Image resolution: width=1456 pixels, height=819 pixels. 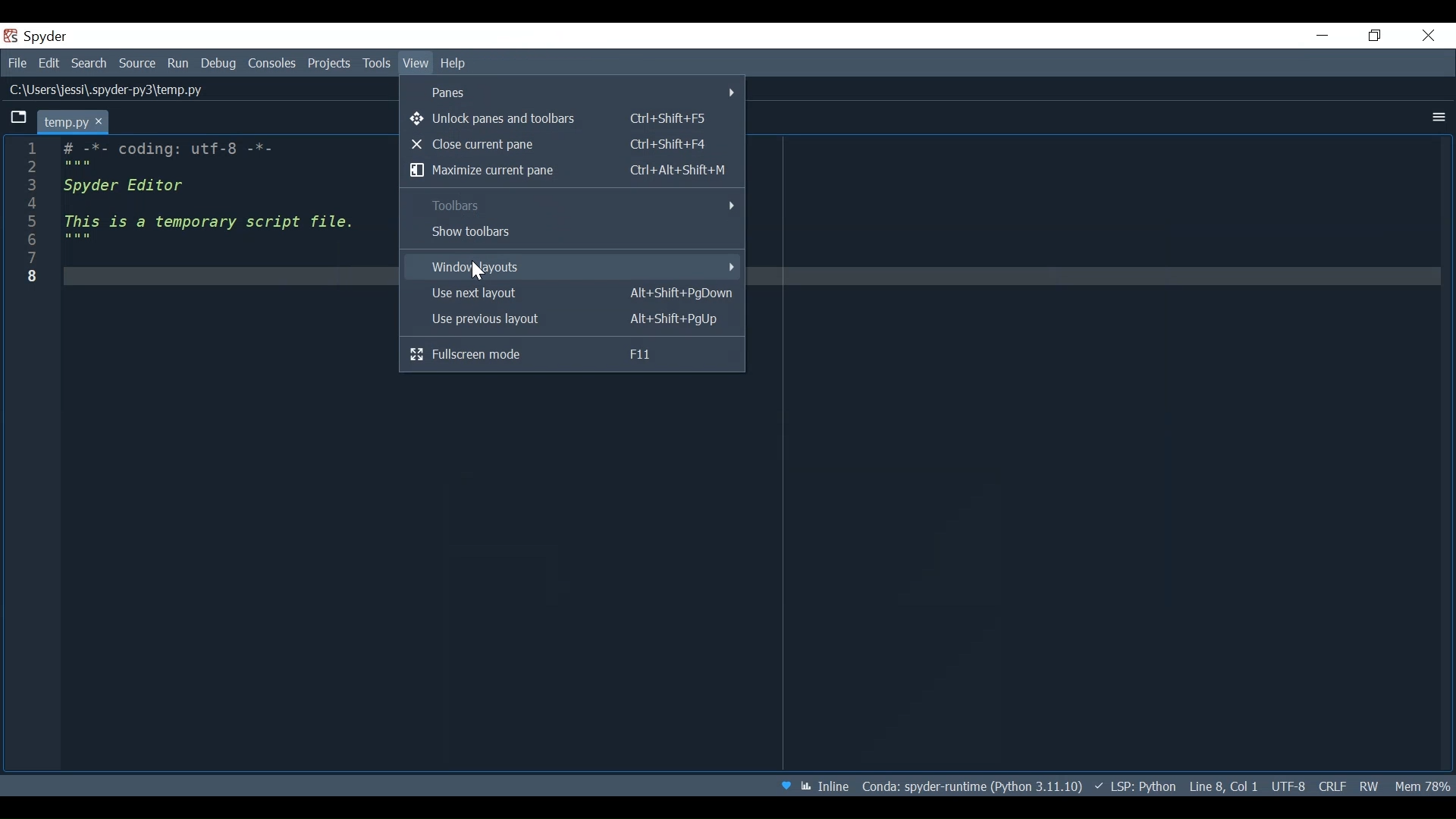 What do you see at coordinates (480, 272) in the screenshot?
I see `Cursor` at bounding box center [480, 272].